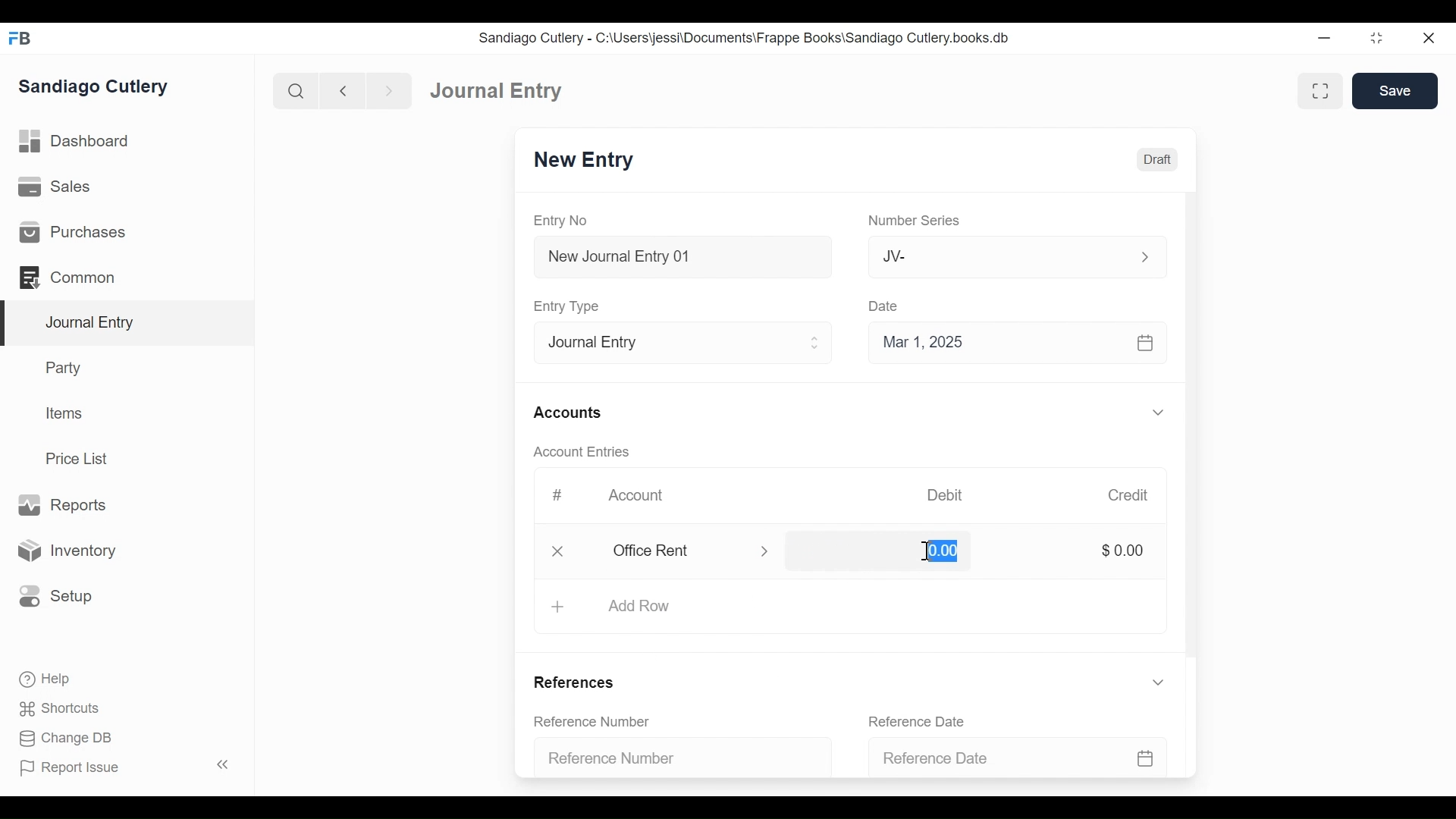 The image size is (1456, 819). I want to click on next, so click(384, 89).